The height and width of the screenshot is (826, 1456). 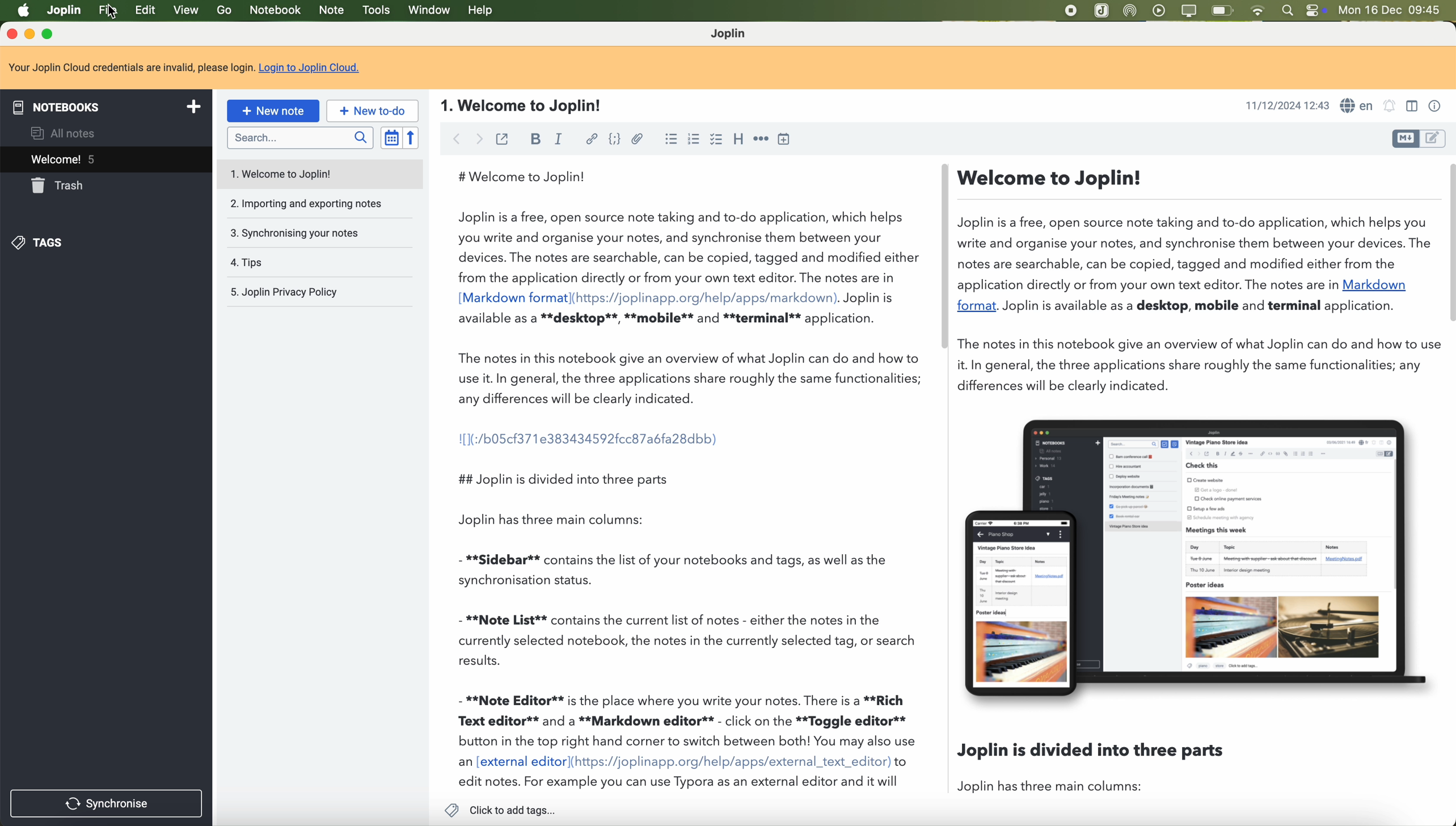 What do you see at coordinates (1069, 11) in the screenshot?
I see `stop recording` at bounding box center [1069, 11].